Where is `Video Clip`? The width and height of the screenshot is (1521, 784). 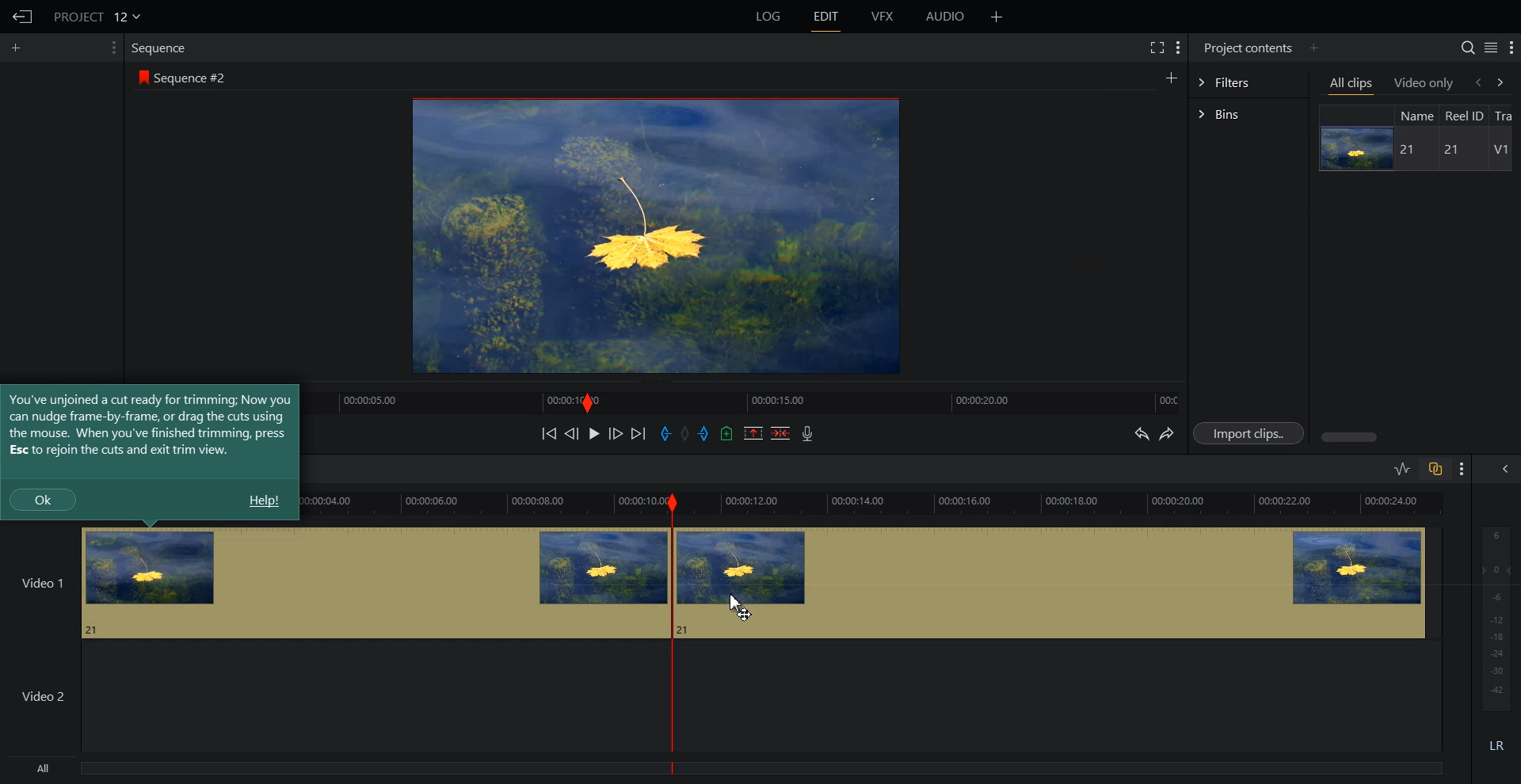
Video Clip is located at coordinates (334, 582).